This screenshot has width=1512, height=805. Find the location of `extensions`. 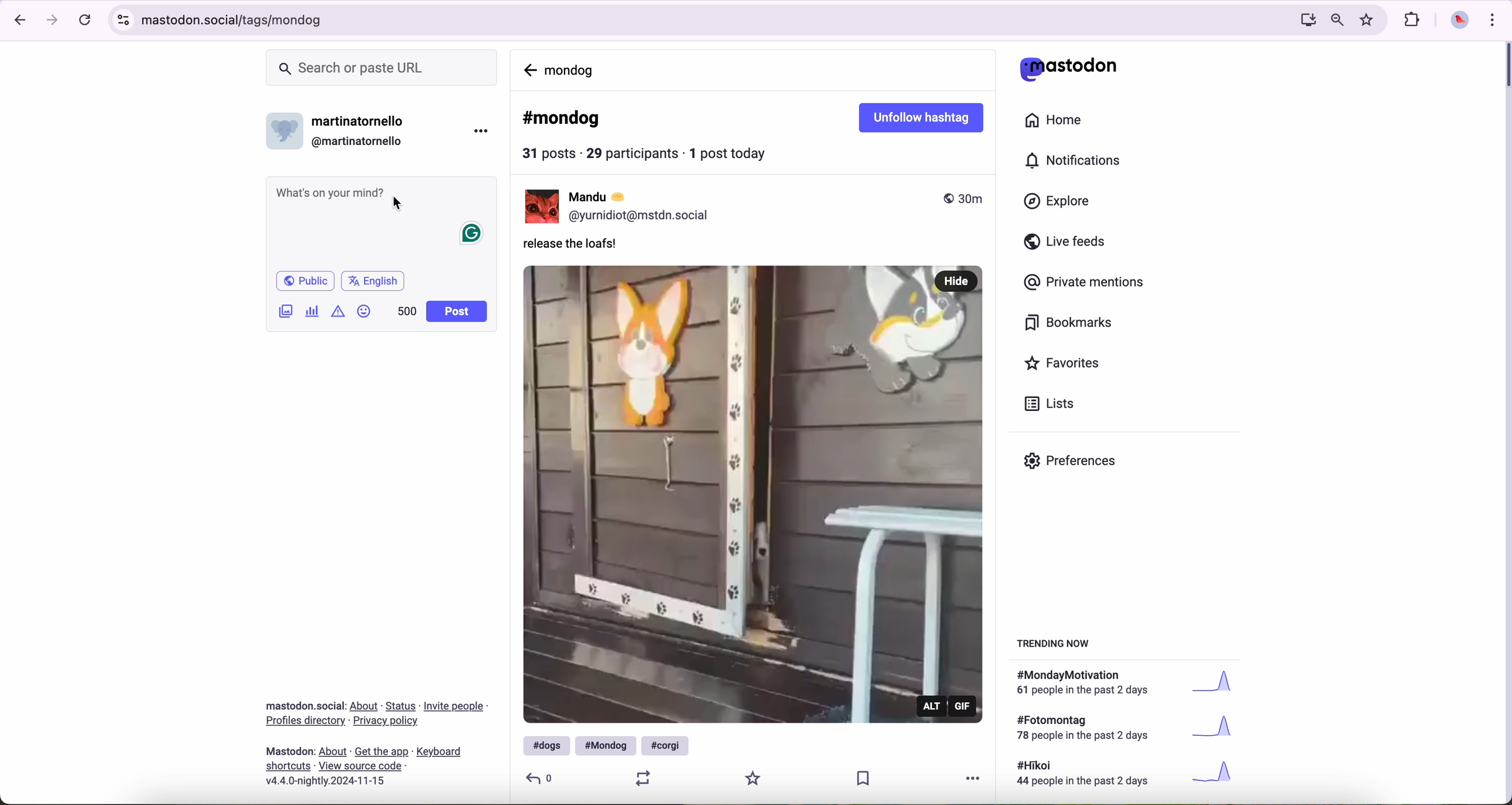

extensions is located at coordinates (1413, 21).